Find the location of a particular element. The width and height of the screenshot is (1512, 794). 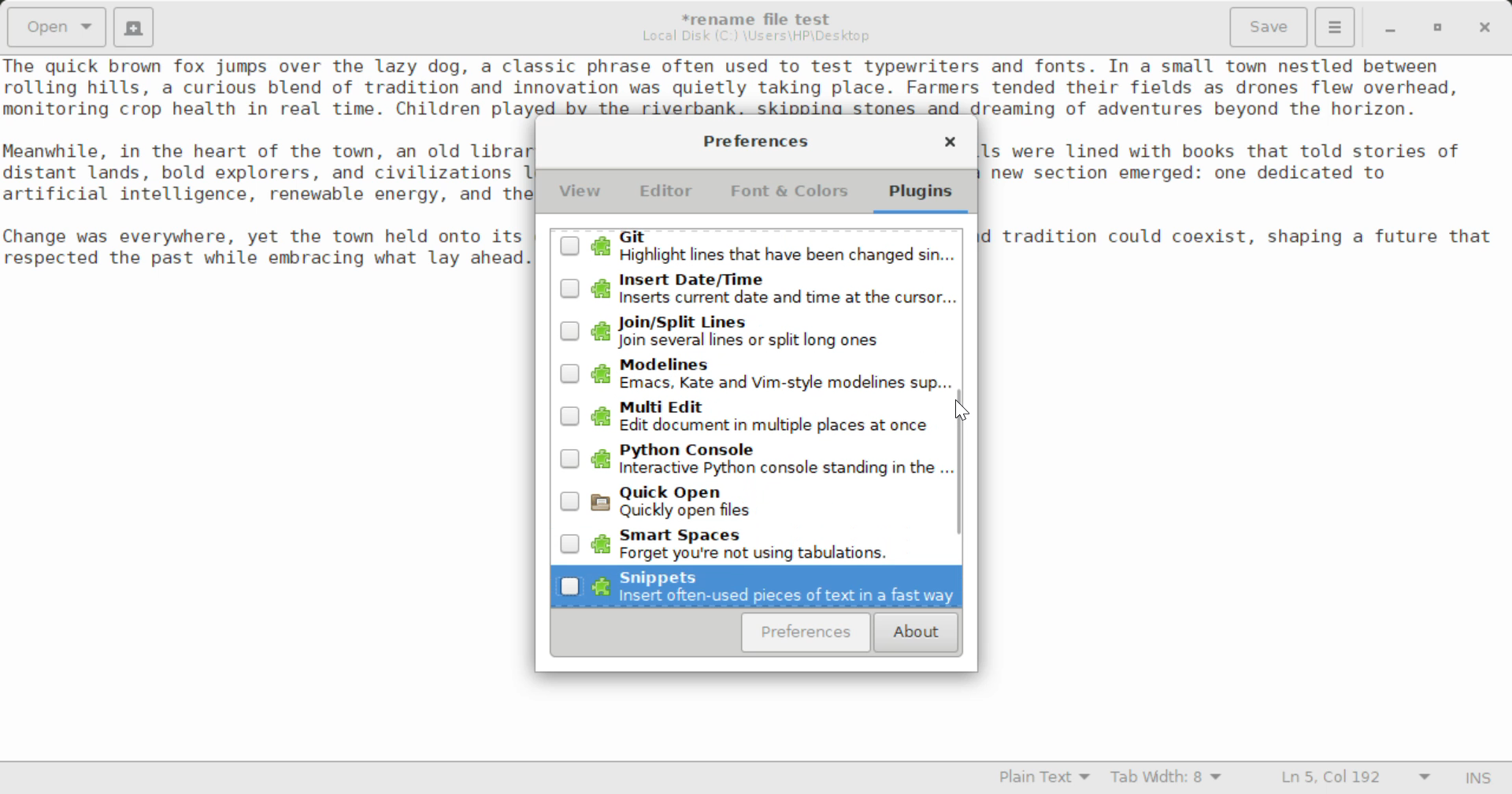

Modelines Plugin Unselected is located at coordinates (754, 376).